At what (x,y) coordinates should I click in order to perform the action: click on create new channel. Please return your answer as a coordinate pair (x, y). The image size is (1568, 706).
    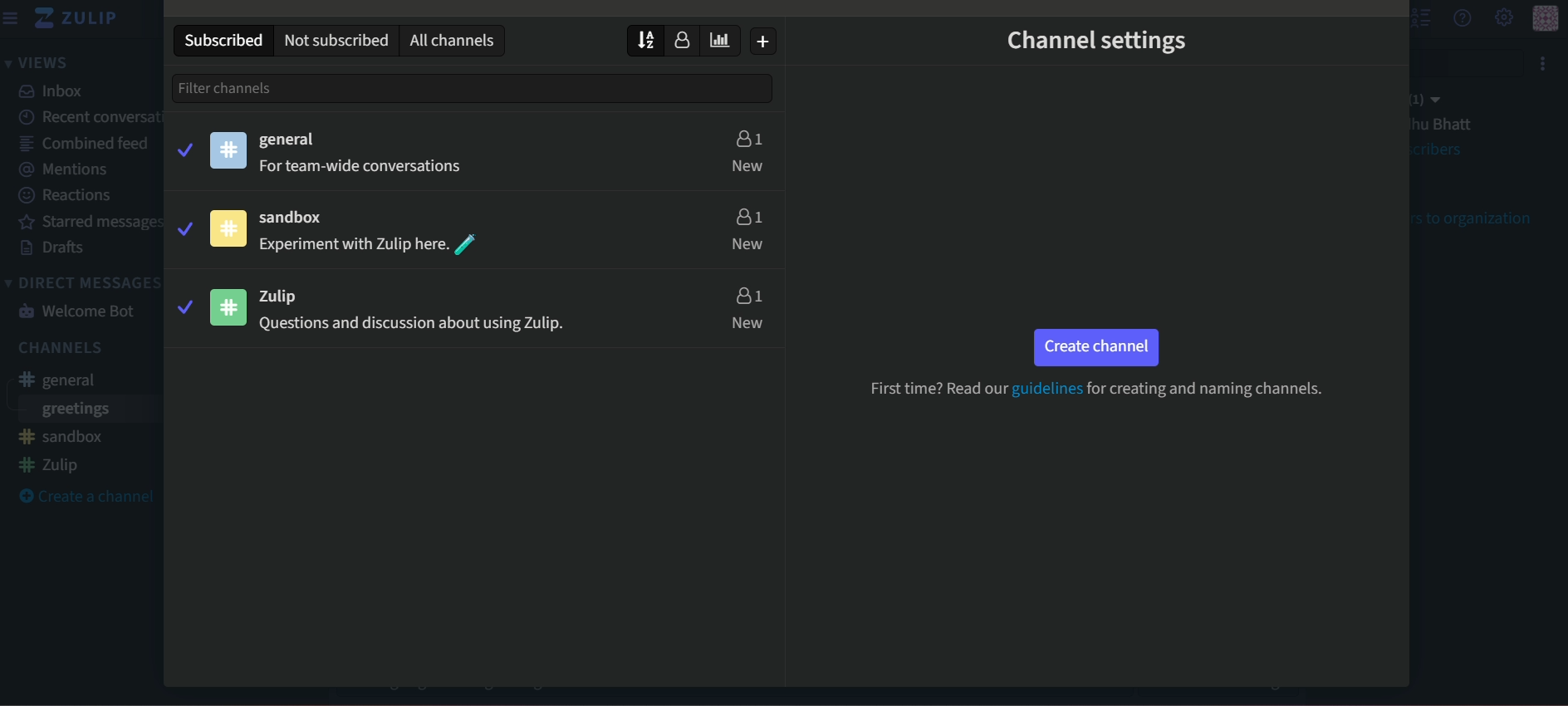
    Looking at the image, I should click on (760, 41).